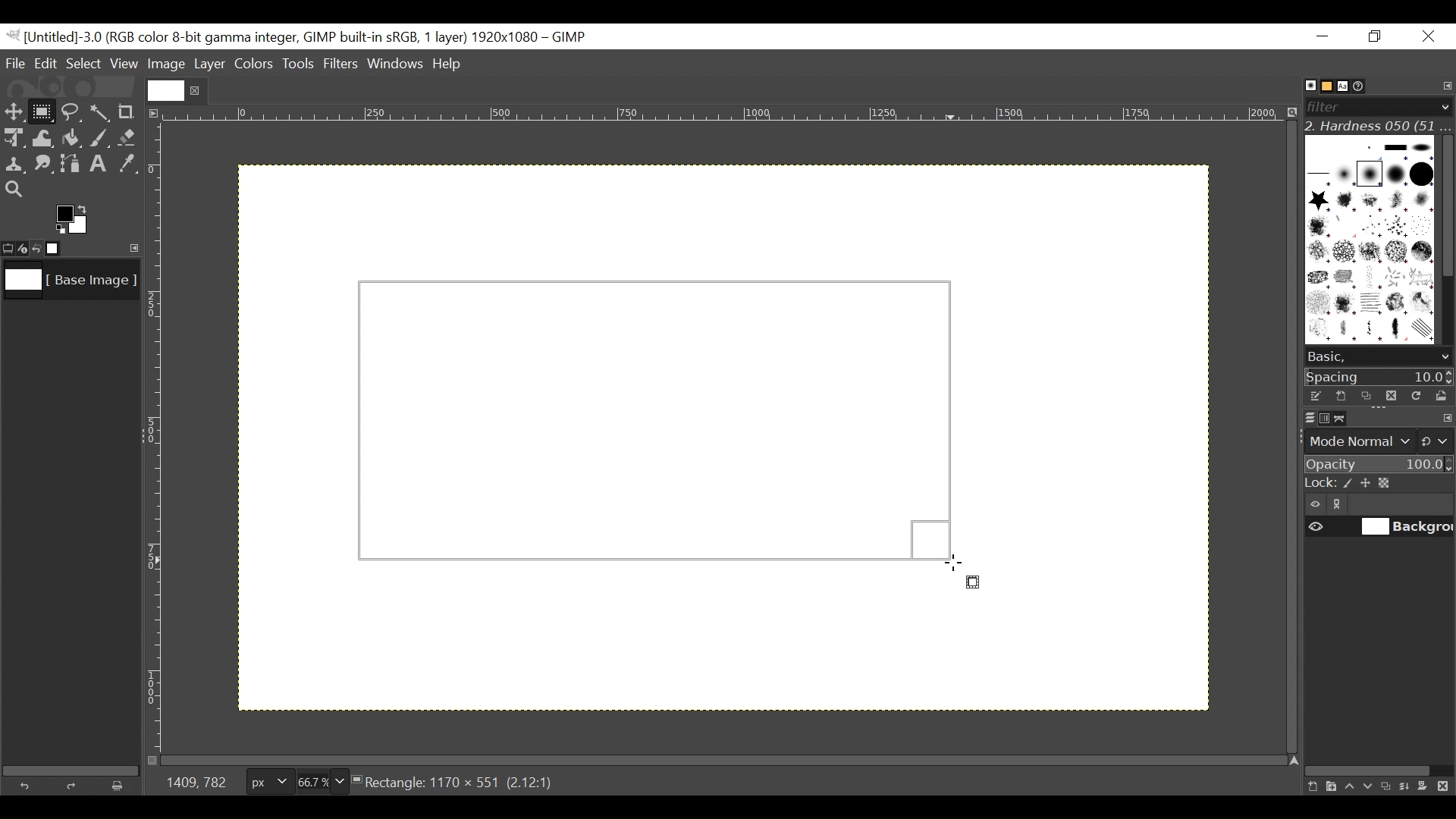  Describe the element at coordinates (1323, 86) in the screenshot. I see `Basic` at that location.